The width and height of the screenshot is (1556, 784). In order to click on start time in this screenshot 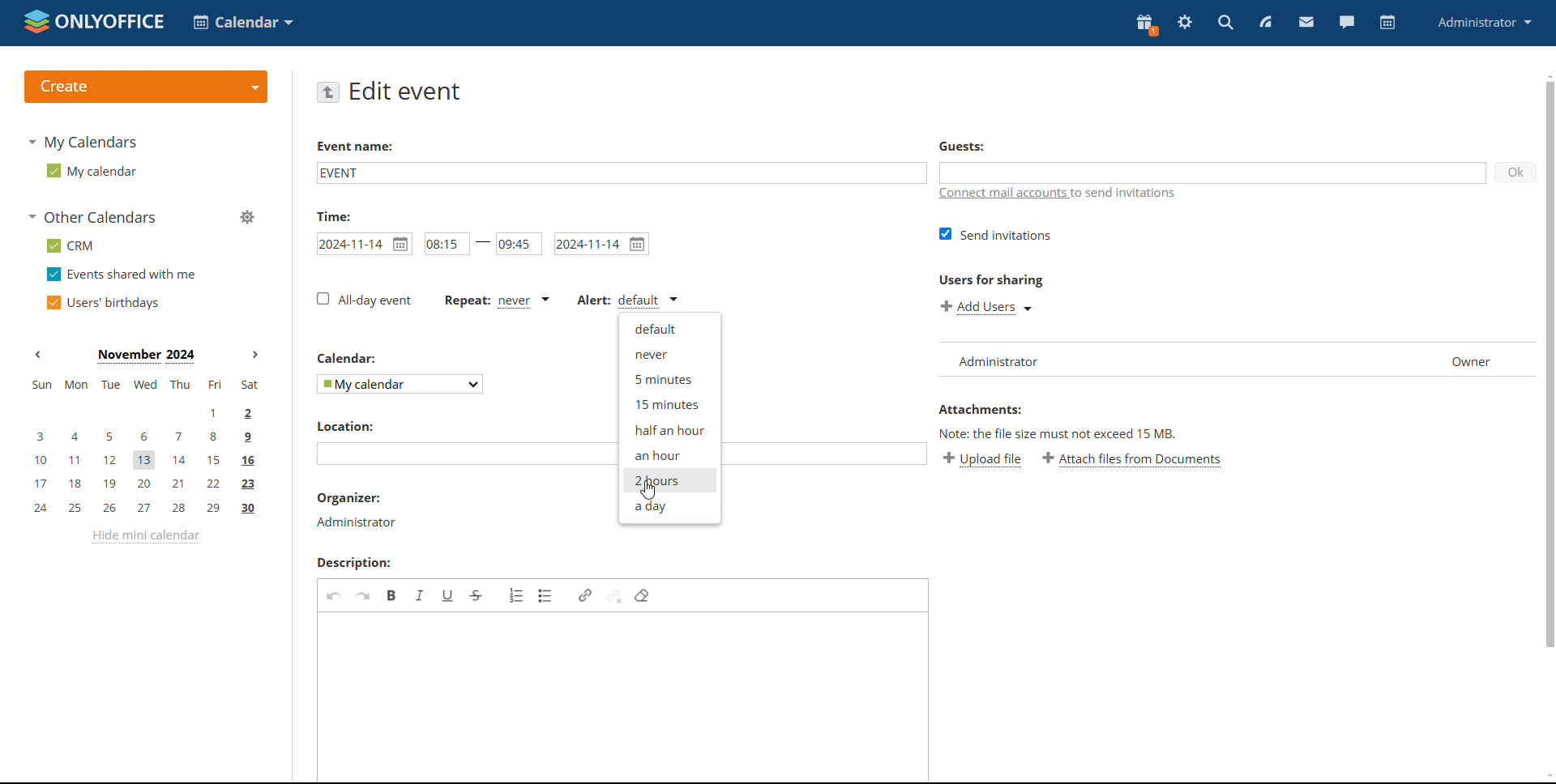, I will do `click(447, 245)`.